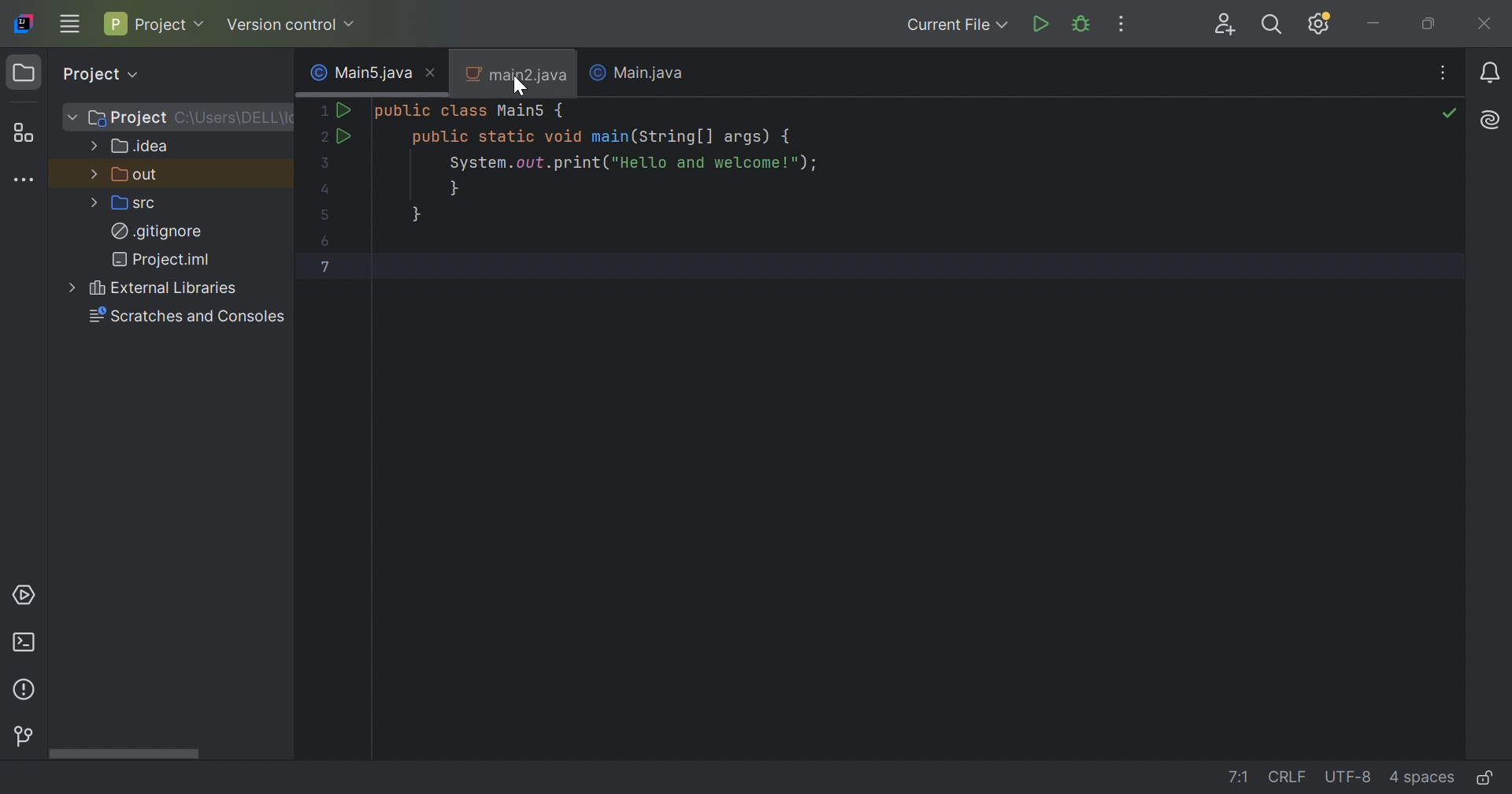  I want to click on Project, so click(98, 74).